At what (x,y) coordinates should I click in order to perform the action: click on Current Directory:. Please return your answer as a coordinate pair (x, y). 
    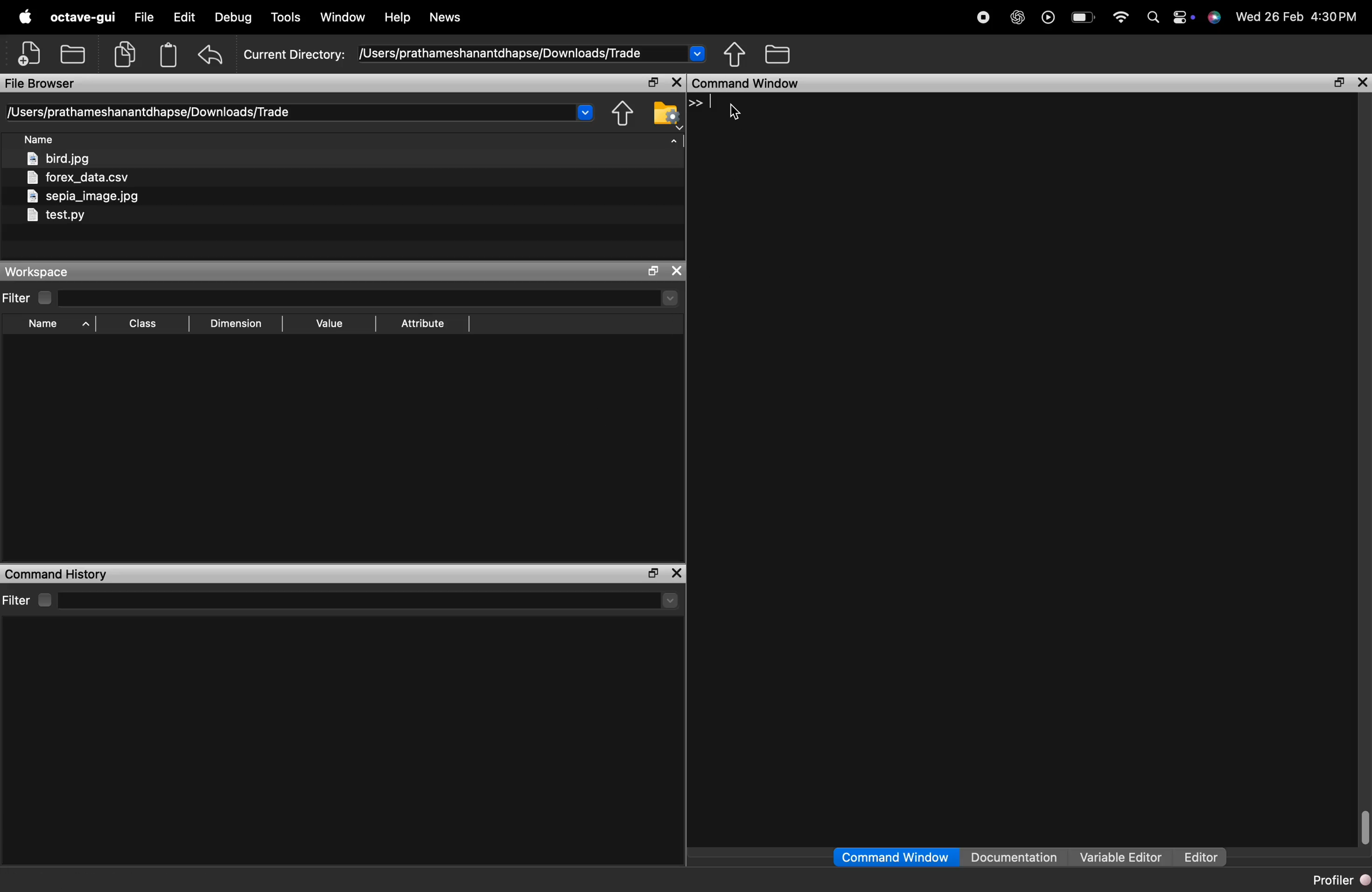
    Looking at the image, I should click on (295, 54).